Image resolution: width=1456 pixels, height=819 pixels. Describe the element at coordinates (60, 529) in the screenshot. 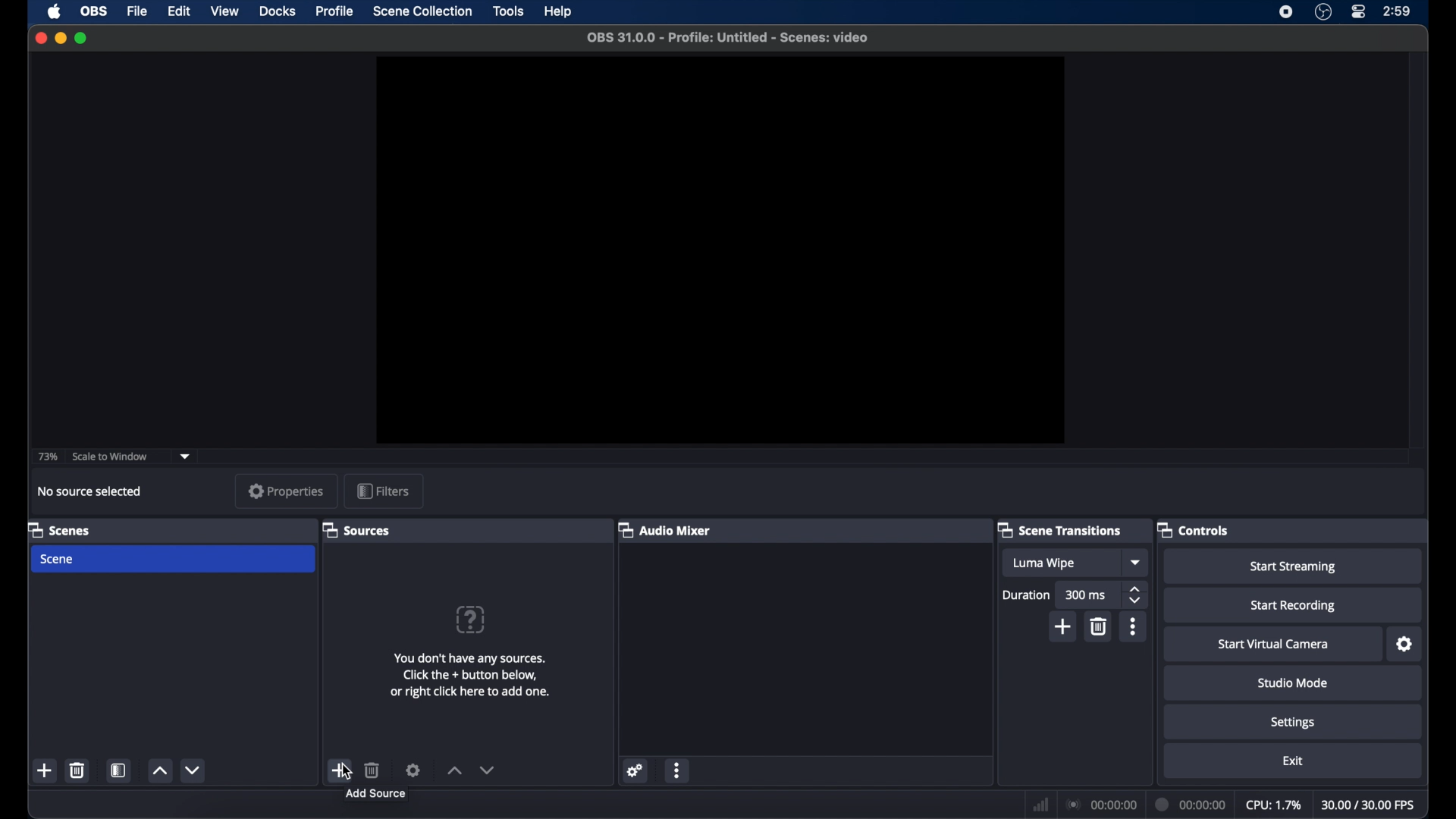

I see `scenes` at that location.